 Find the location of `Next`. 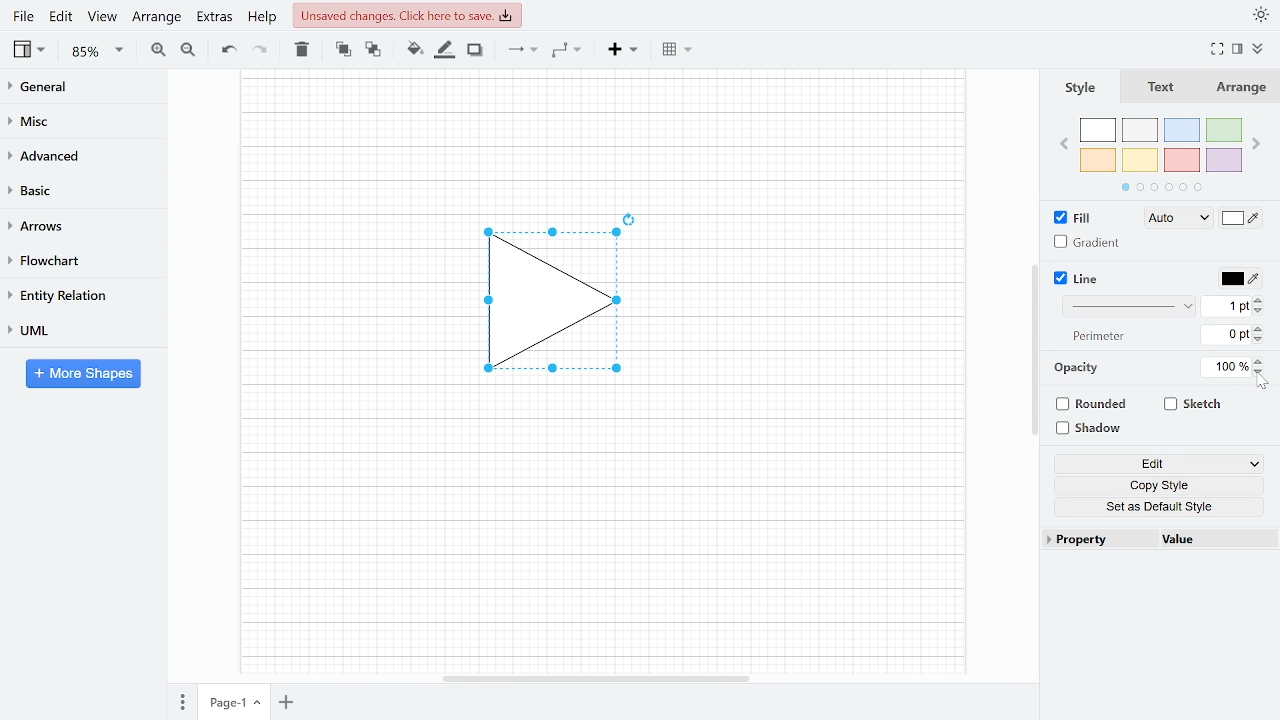

Next is located at coordinates (1258, 140).